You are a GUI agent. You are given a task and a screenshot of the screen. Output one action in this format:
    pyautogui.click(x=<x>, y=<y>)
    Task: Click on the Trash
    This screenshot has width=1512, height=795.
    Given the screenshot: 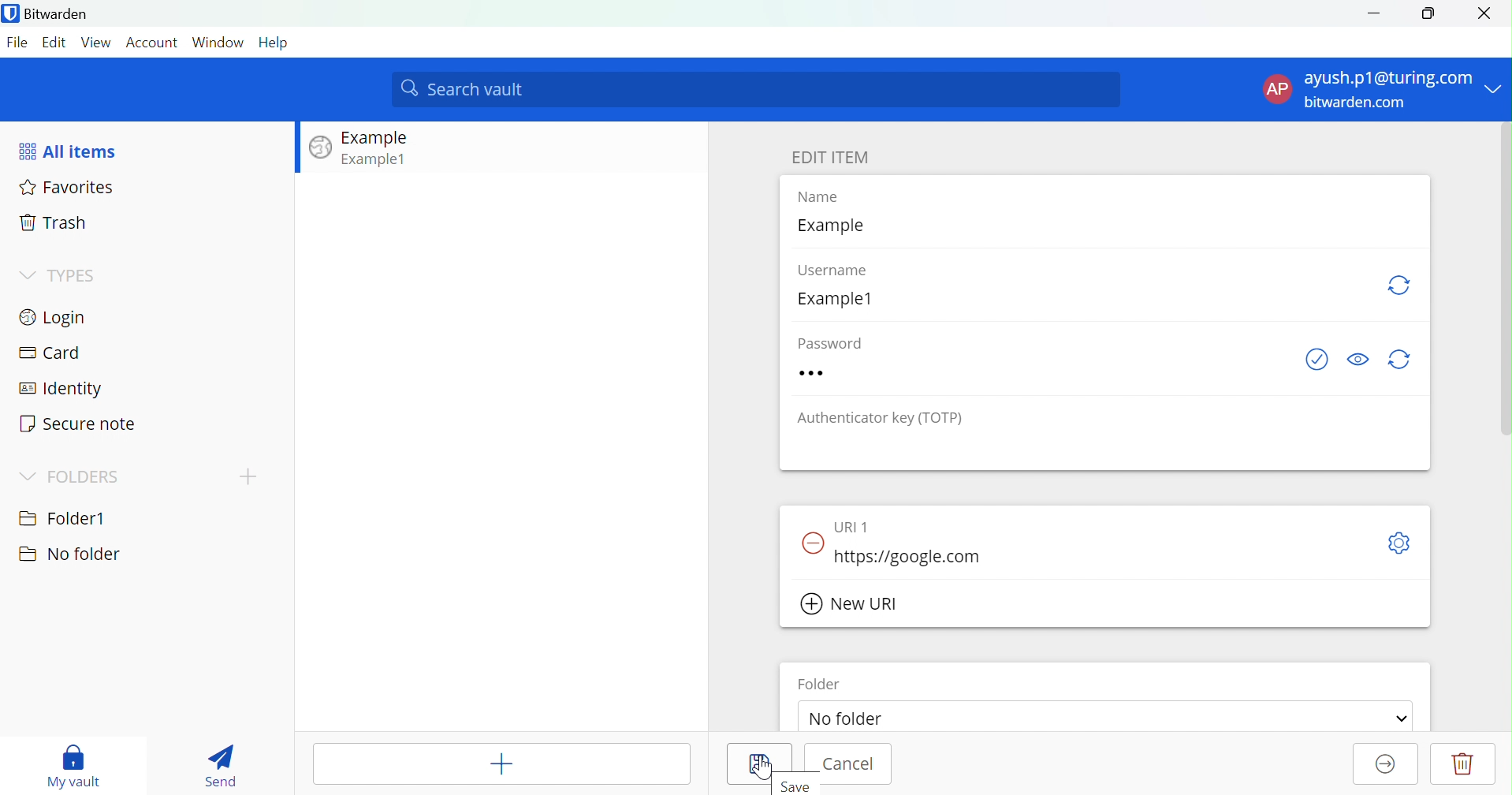 What is the action you would take?
    pyautogui.click(x=55, y=224)
    